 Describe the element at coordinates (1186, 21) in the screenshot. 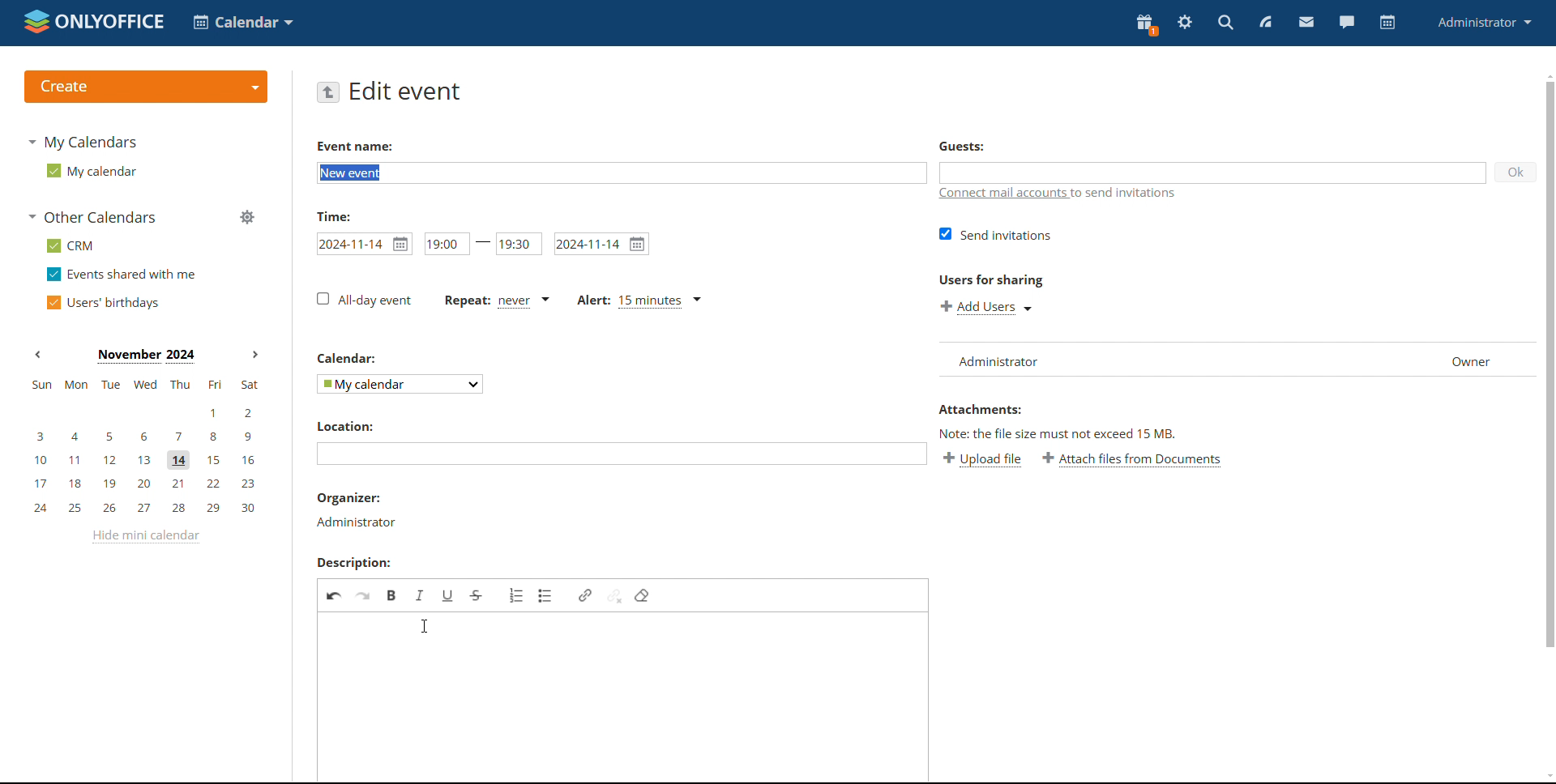

I see `settings` at that location.